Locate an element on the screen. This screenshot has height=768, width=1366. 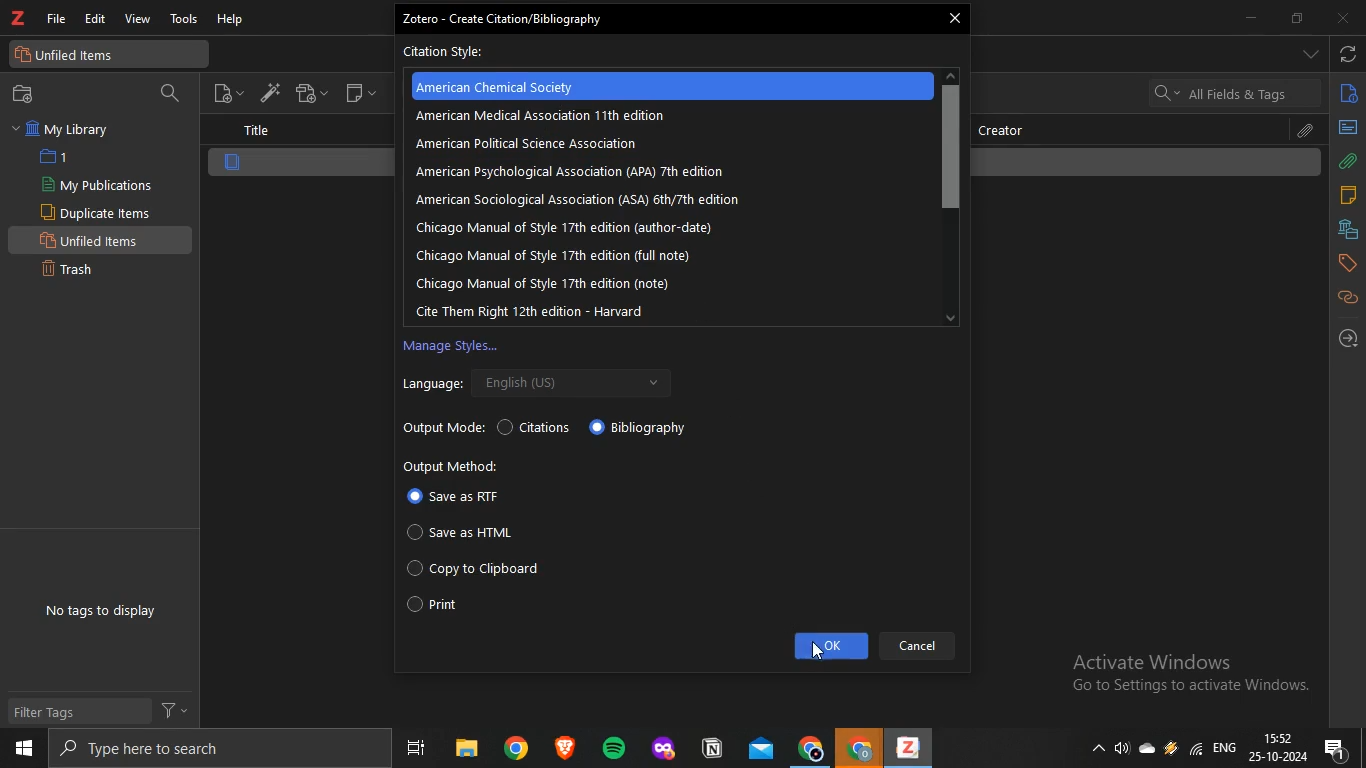
title is located at coordinates (255, 131).